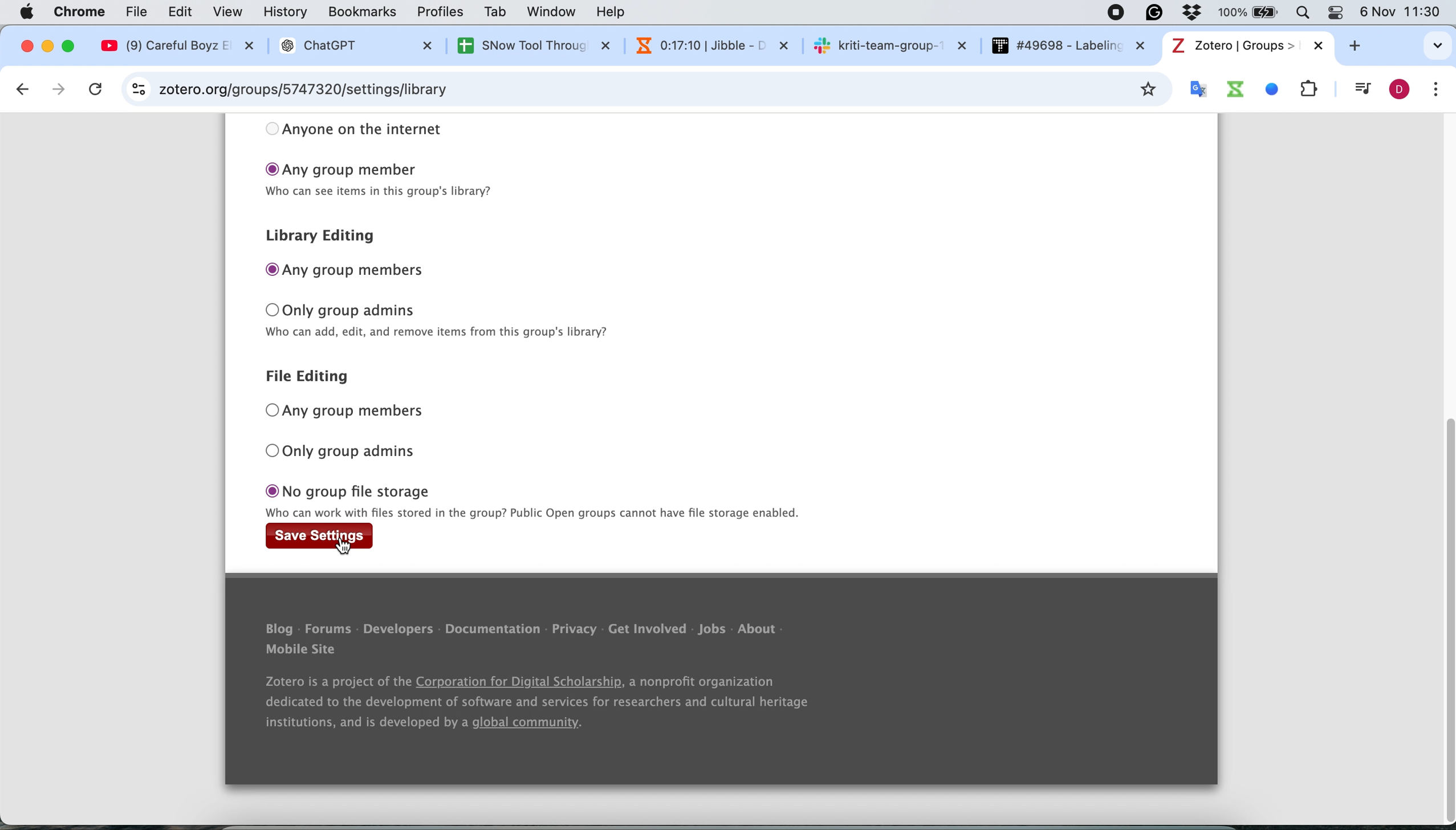  What do you see at coordinates (551, 682) in the screenshot?
I see `Blog - Forums - Developers - Documentation - Privacy - Get Involved - Jobs - About
Mobile Site

Zotero is a project of the Corporation for Digital Scholarship, a nonprofit organization
dedicated to the development of software and services for researchers and cultural heritage
institutions, and is developed by a global community.` at bounding box center [551, 682].